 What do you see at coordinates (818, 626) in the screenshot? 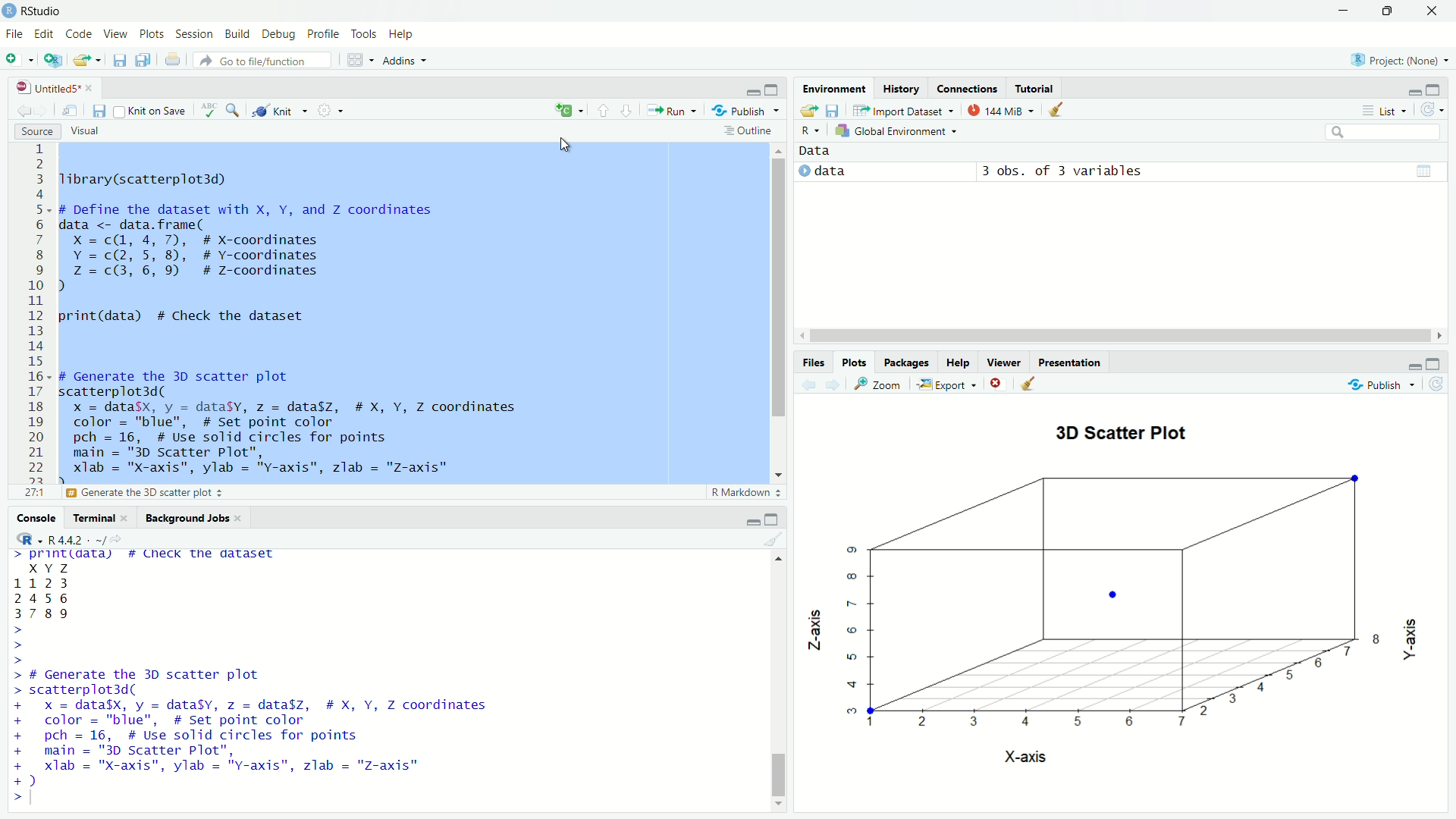
I see `z-axis` at bounding box center [818, 626].